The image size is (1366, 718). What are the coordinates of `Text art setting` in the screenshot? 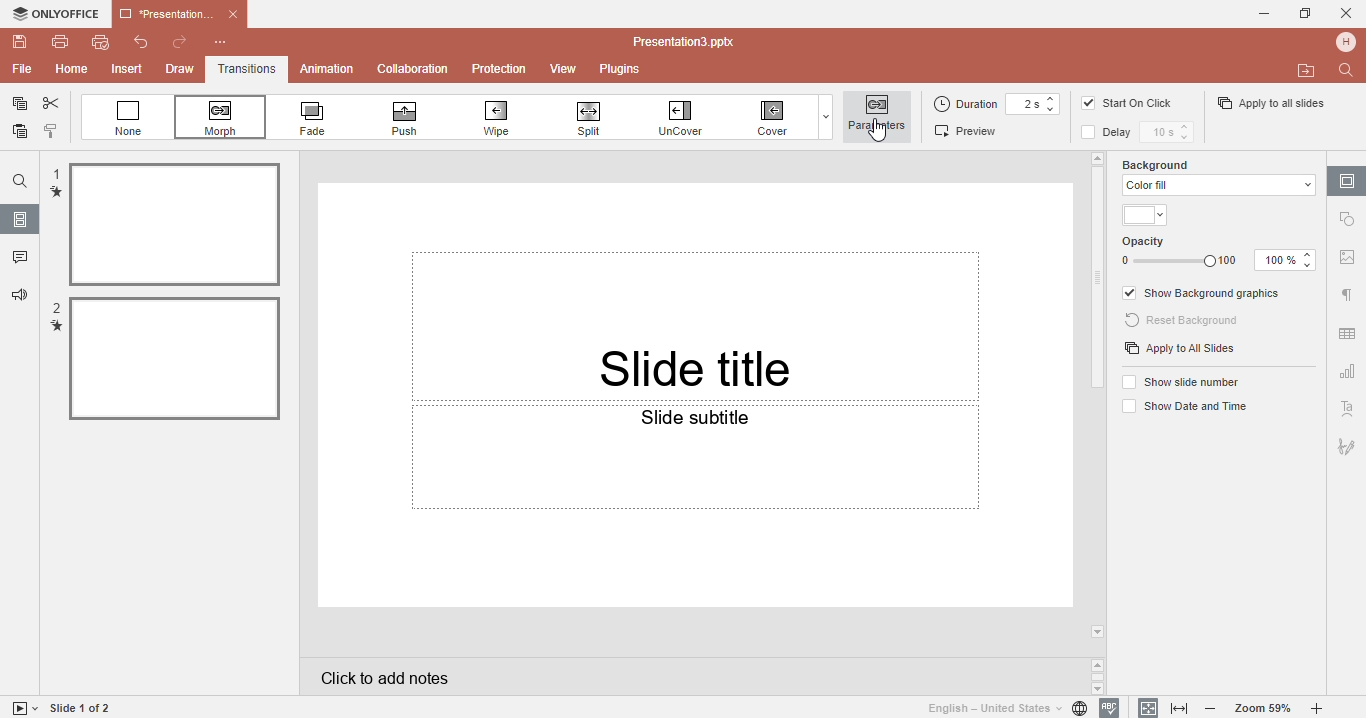 It's located at (1347, 408).